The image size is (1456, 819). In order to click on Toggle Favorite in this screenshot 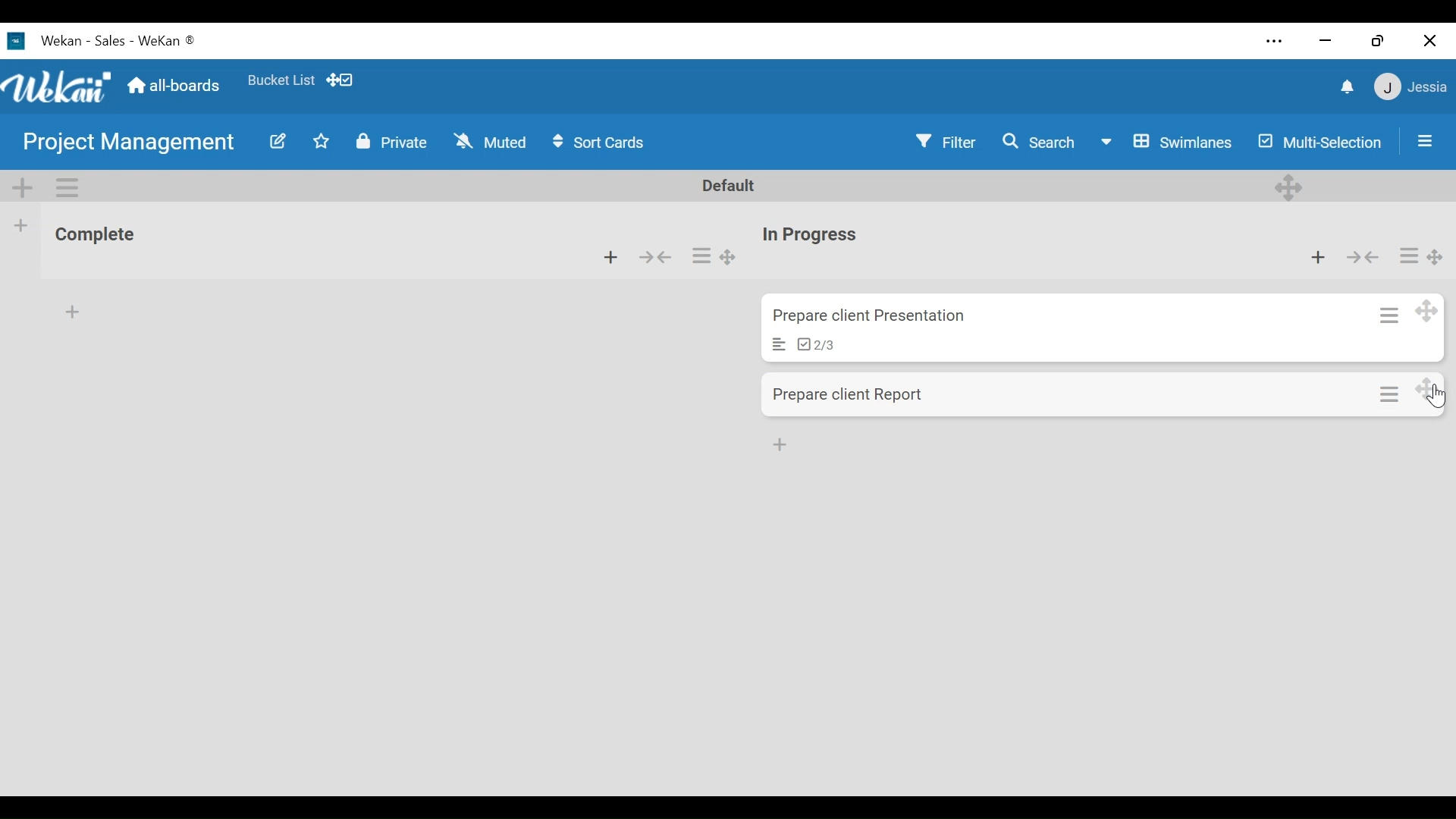, I will do `click(318, 143)`.